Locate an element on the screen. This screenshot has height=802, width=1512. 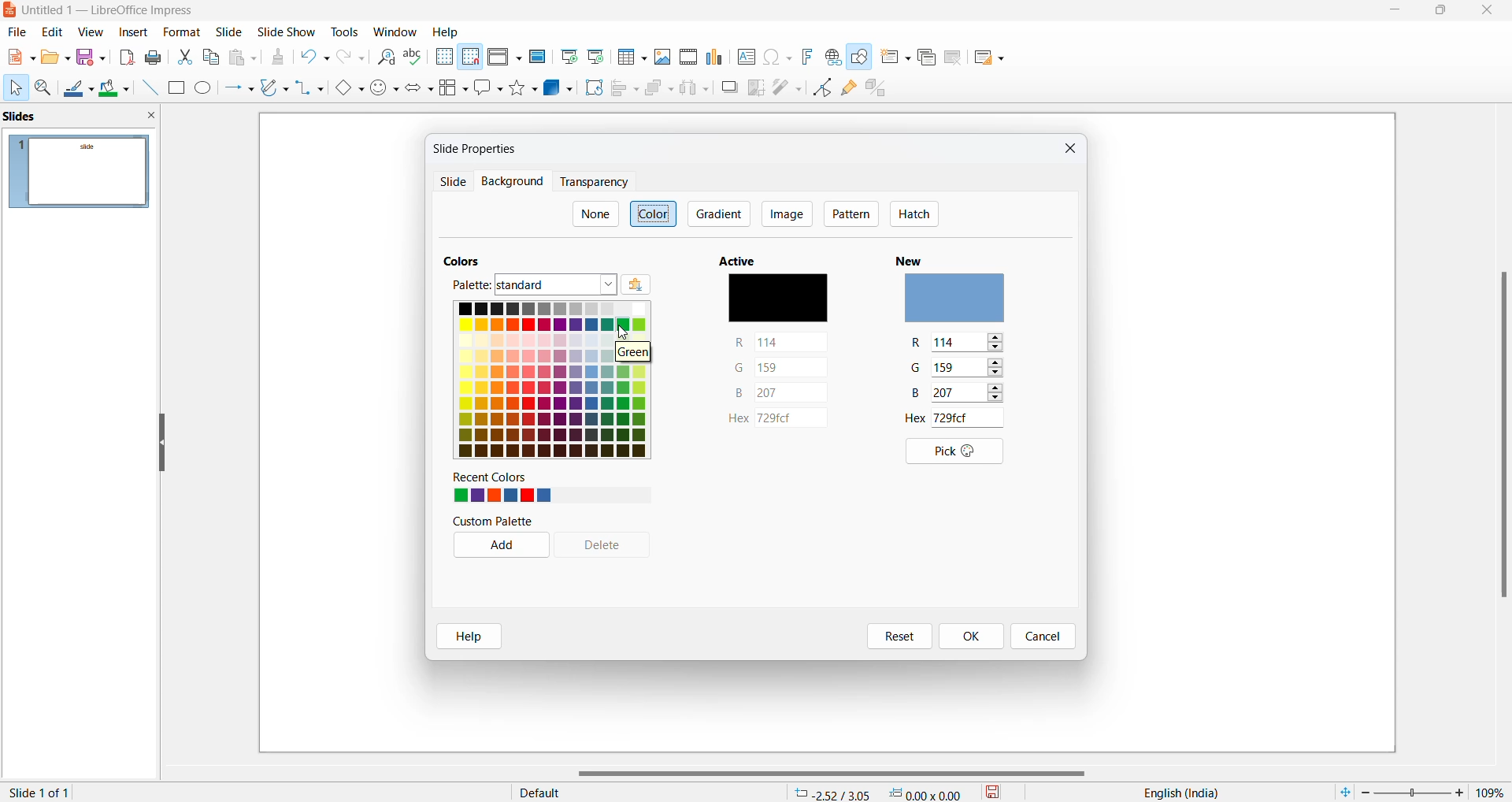
slide preview is located at coordinates (81, 172).